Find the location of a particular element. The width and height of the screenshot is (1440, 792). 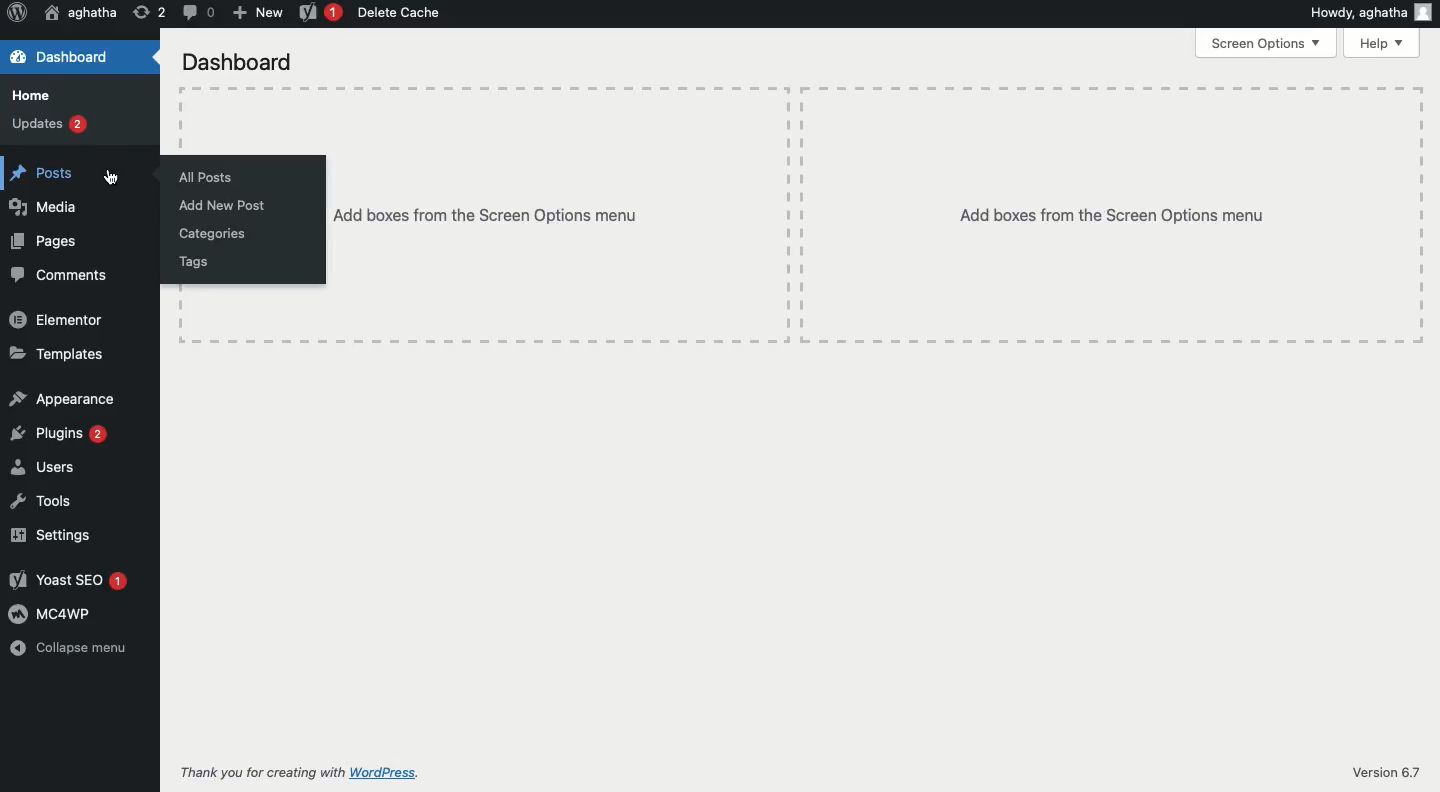

Updates is located at coordinates (49, 123).